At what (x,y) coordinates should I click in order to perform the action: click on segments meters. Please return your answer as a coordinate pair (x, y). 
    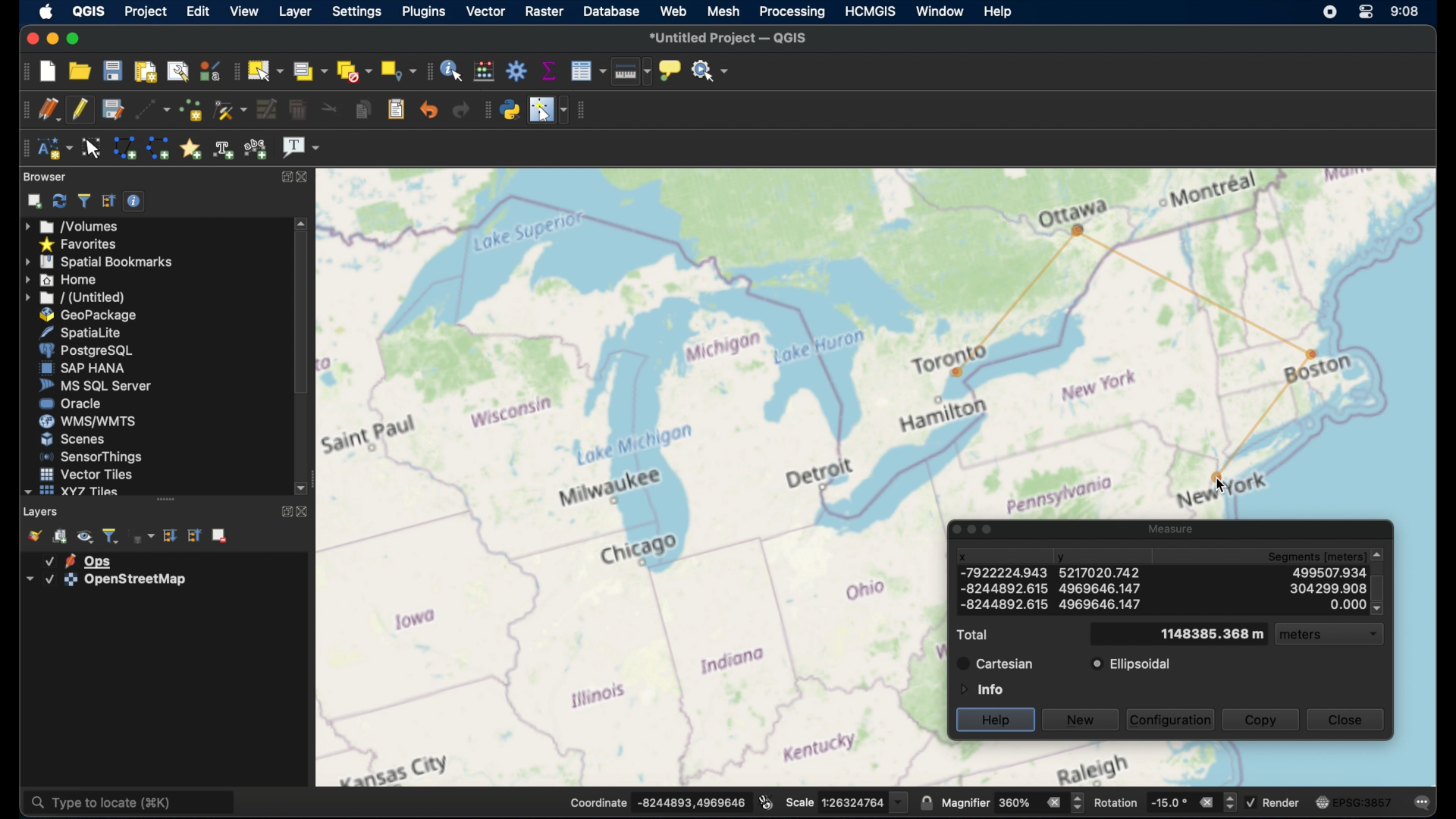
    Looking at the image, I should click on (1330, 554).